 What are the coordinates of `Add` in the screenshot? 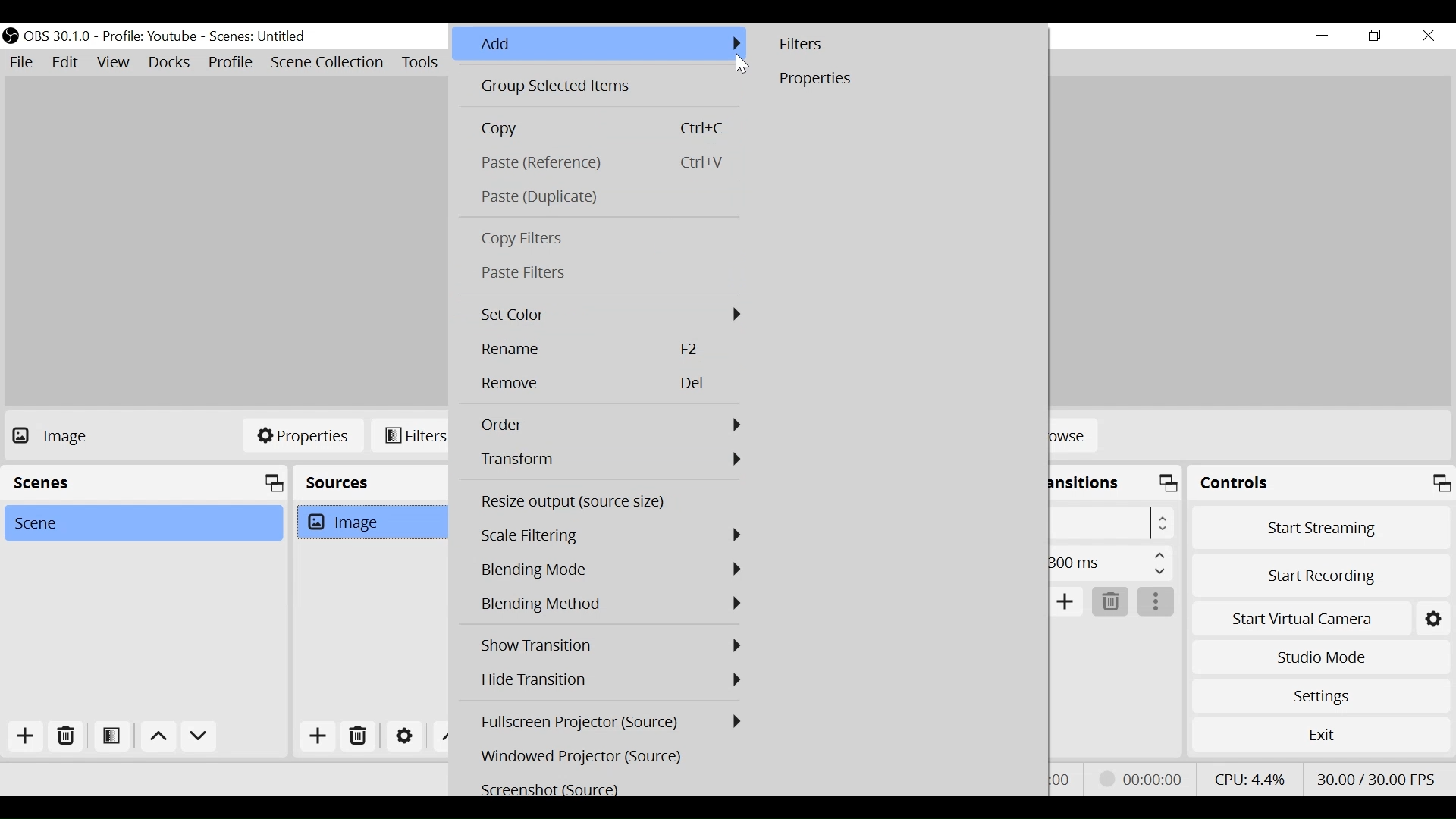 It's located at (599, 41).